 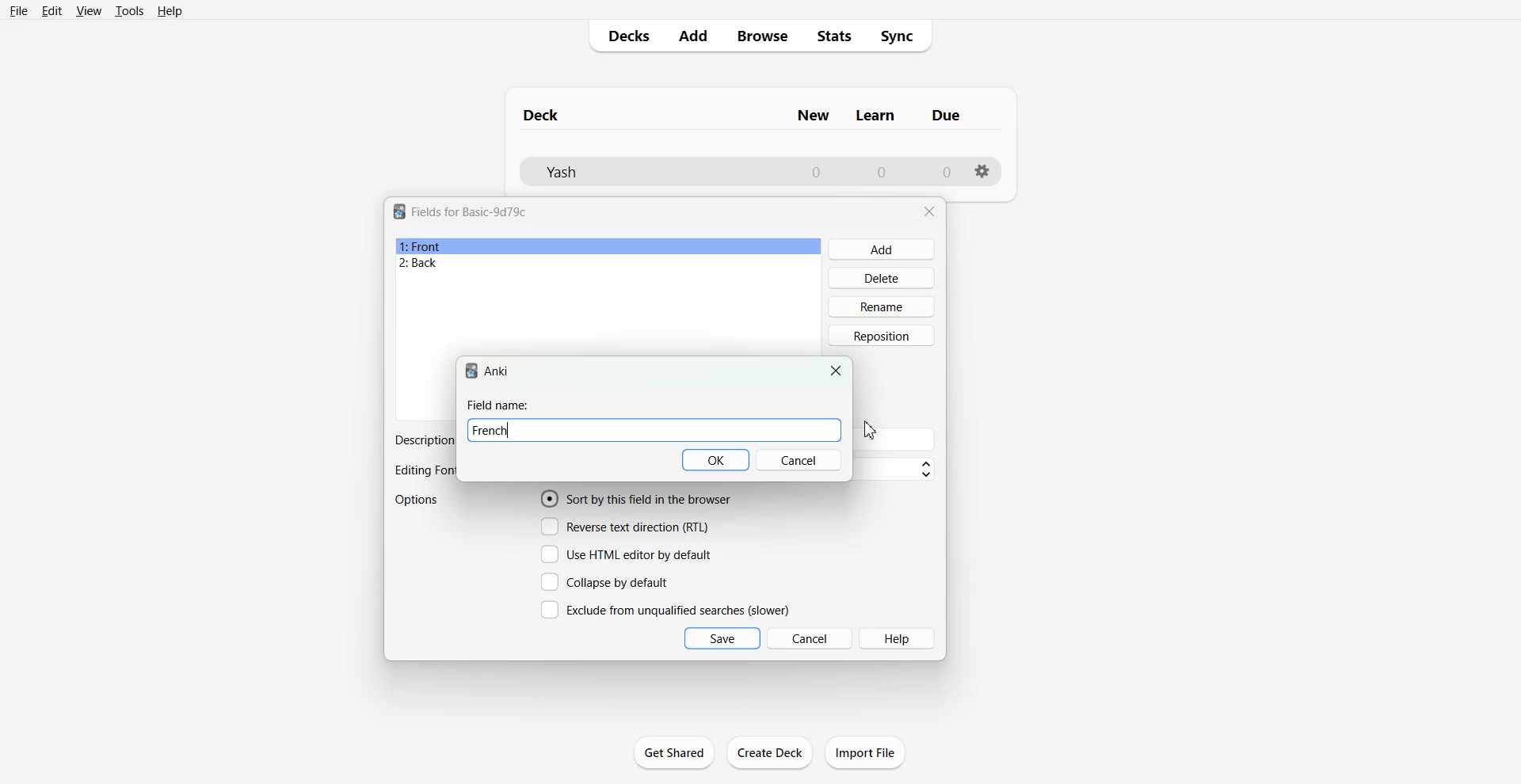 I want to click on Enter Description, so click(x=898, y=440).